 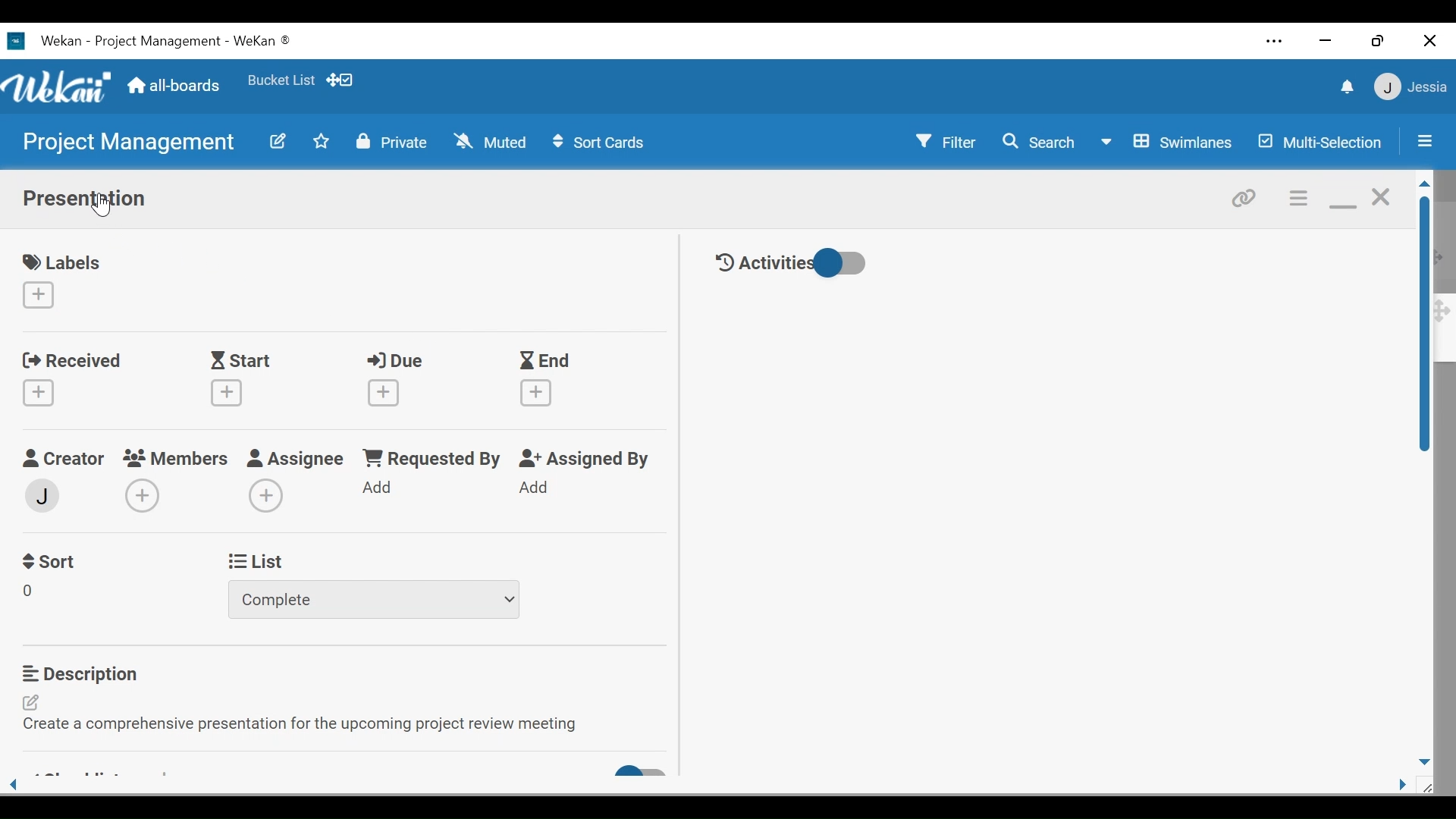 What do you see at coordinates (256, 560) in the screenshot?
I see `List` at bounding box center [256, 560].